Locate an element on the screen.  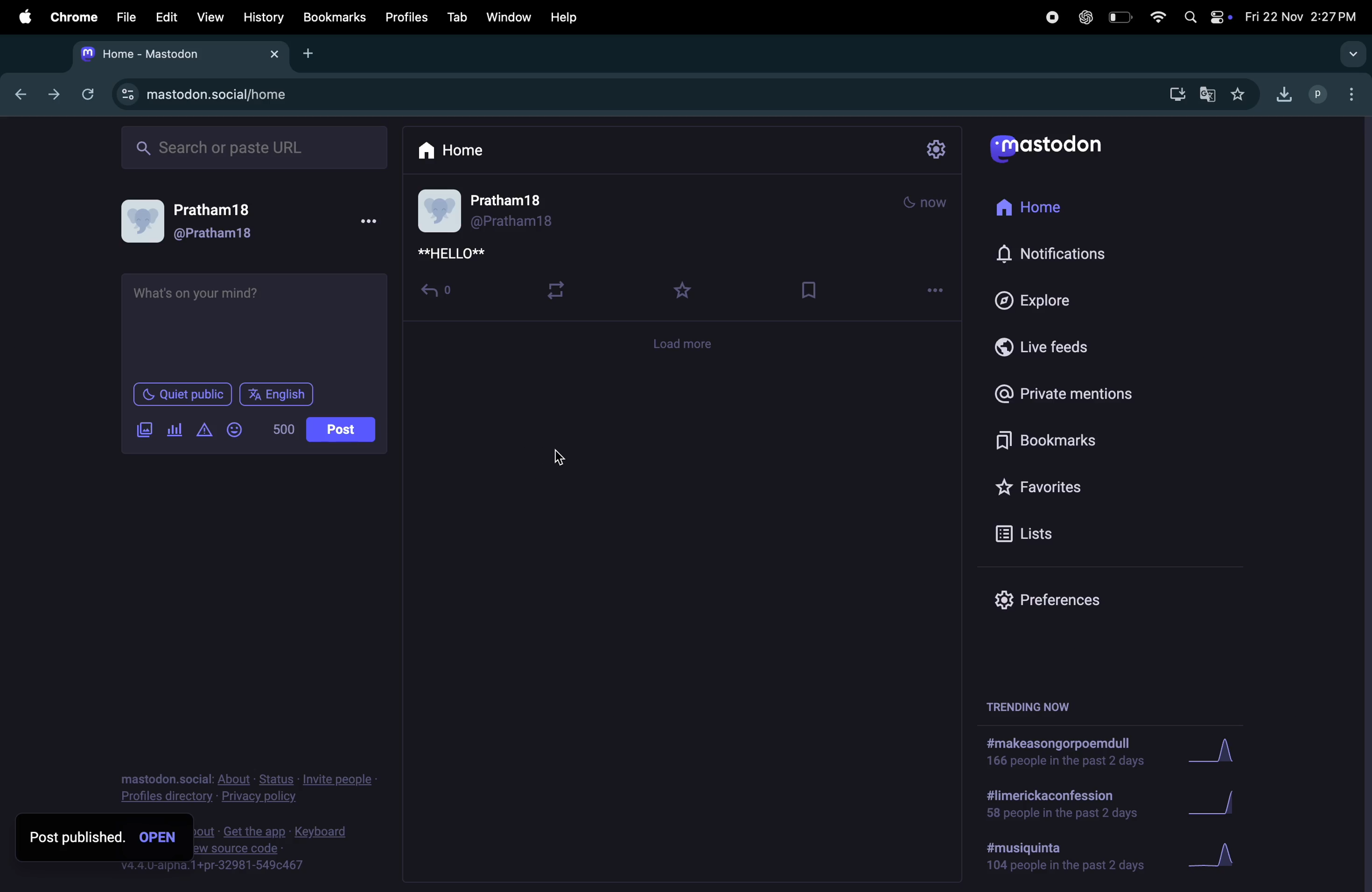
window is located at coordinates (510, 14).